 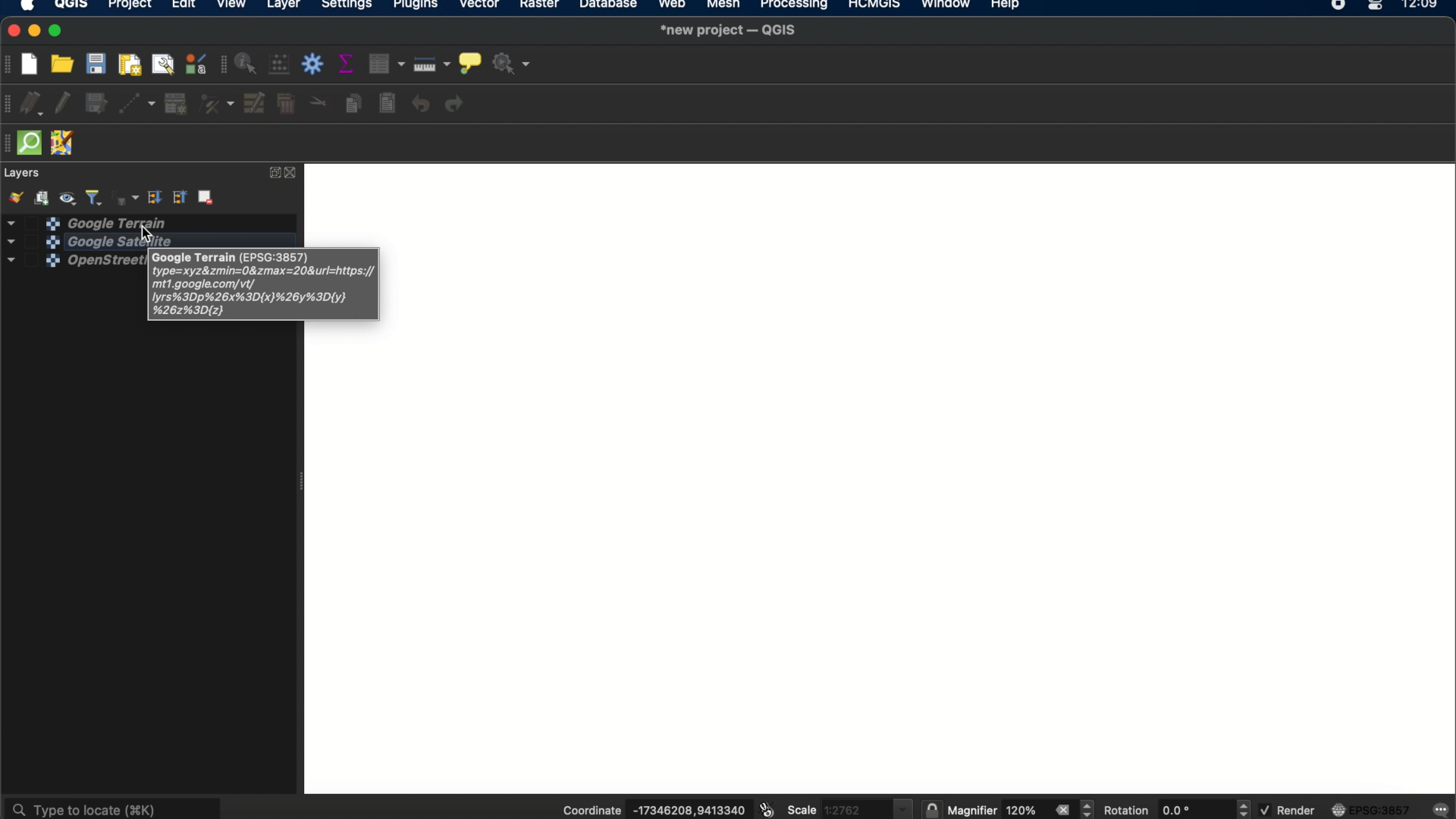 I want to click on show layout manager, so click(x=165, y=64).